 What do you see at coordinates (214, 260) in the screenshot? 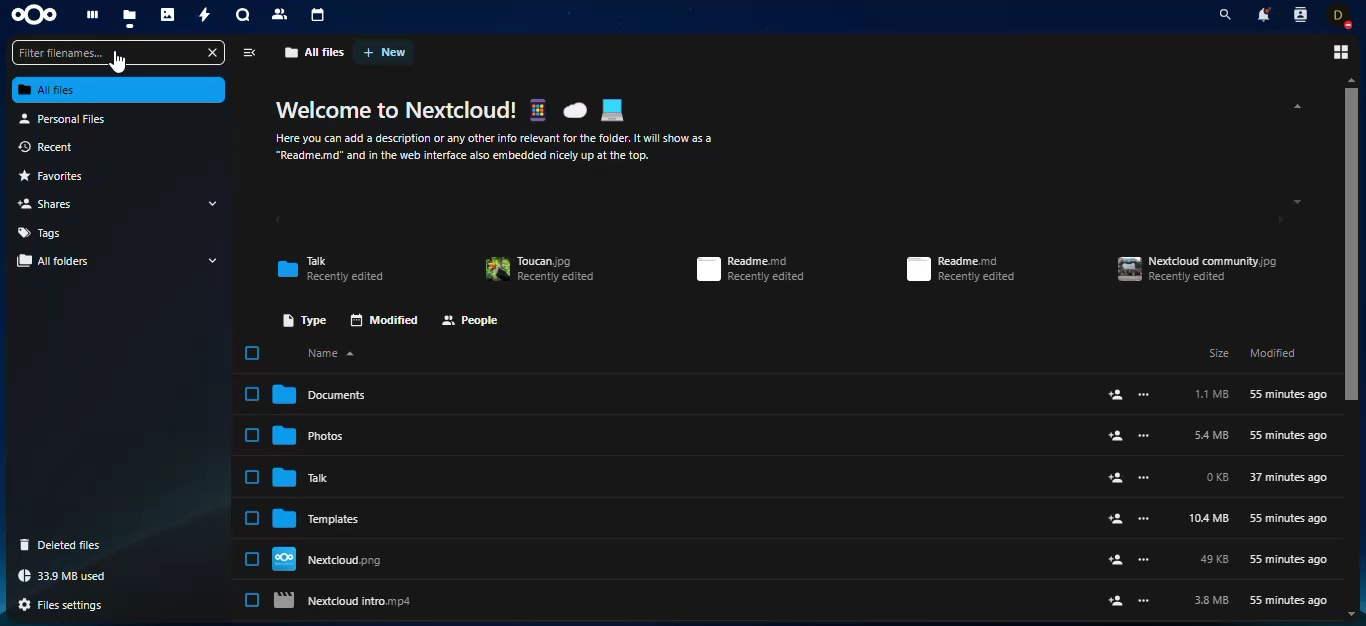
I see `drop down` at bounding box center [214, 260].